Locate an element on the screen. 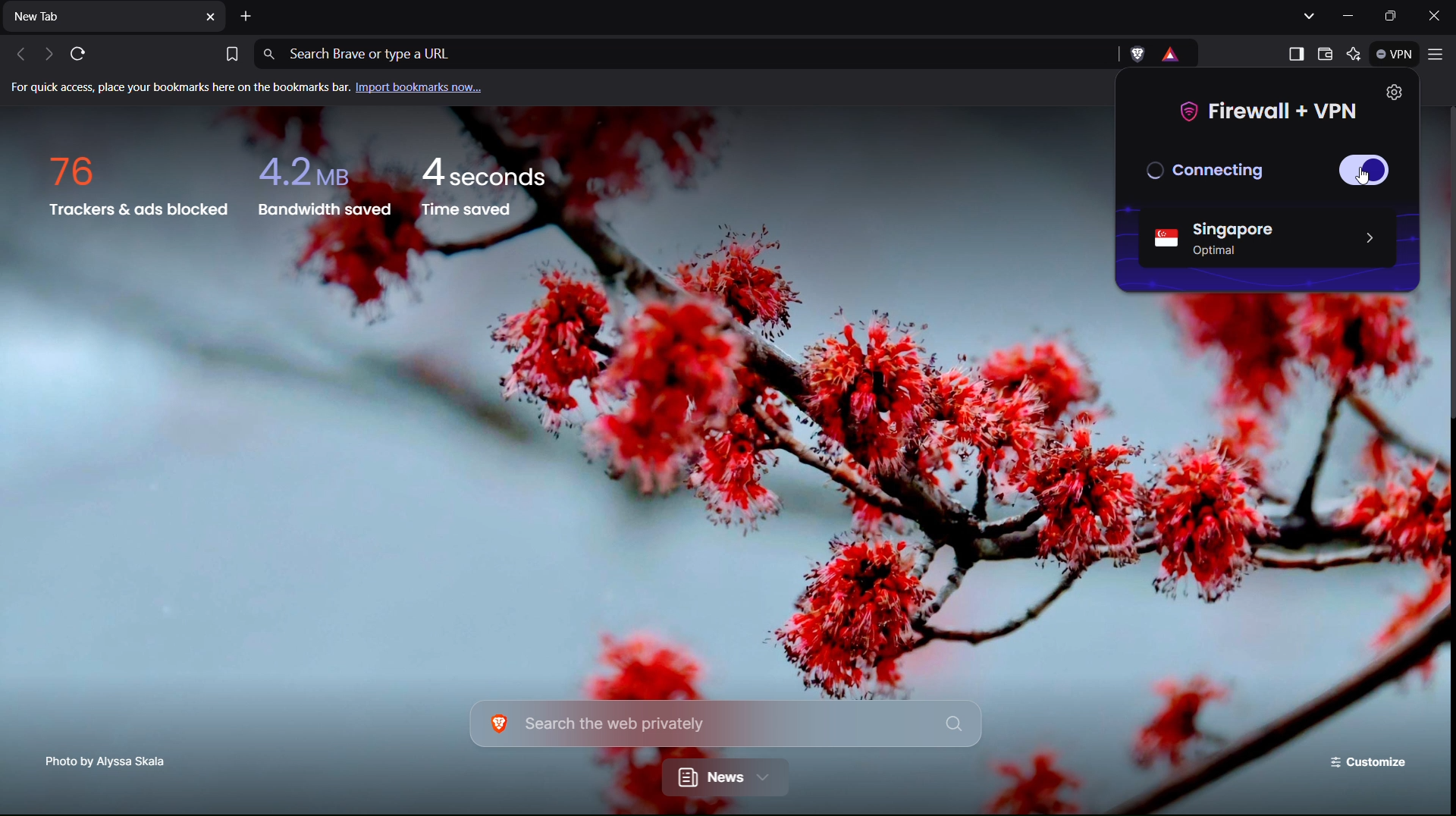  Import bookmarks is located at coordinates (257, 93).